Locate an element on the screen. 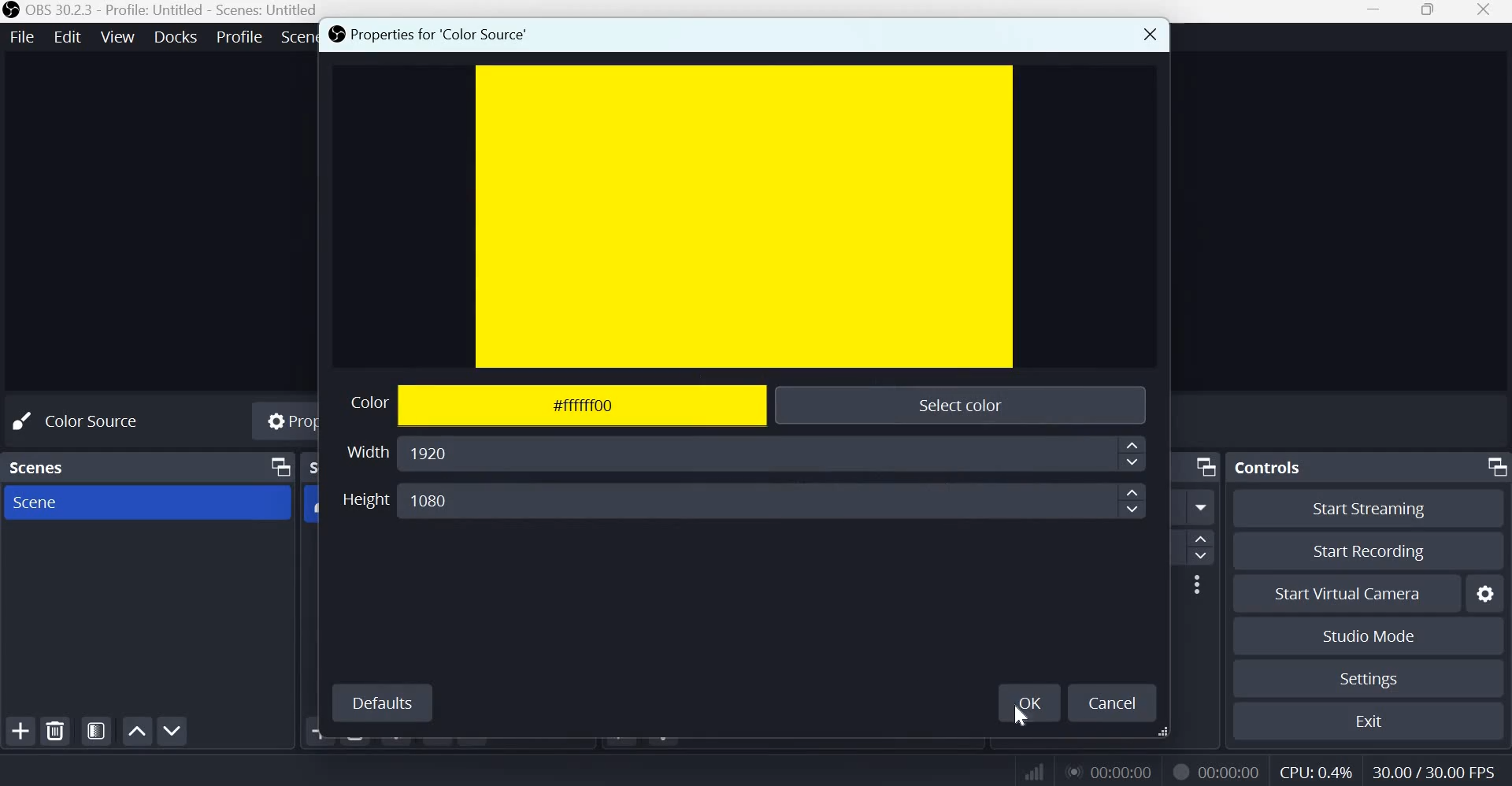  Height input dropdown is located at coordinates (774, 499).